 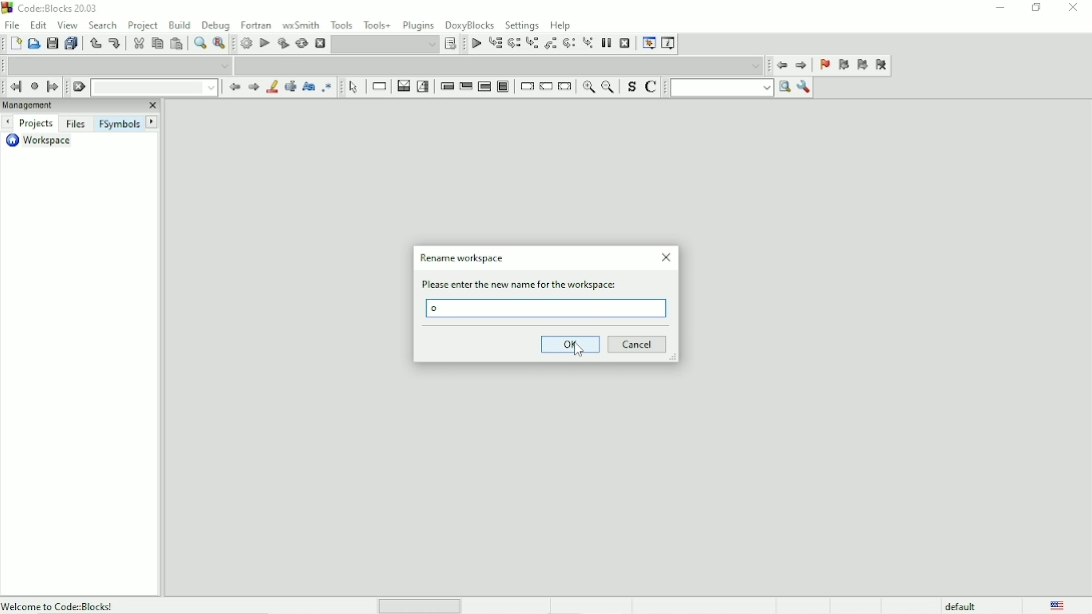 What do you see at coordinates (216, 24) in the screenshot?
I see `Debug` at bounding box center [216, 24].